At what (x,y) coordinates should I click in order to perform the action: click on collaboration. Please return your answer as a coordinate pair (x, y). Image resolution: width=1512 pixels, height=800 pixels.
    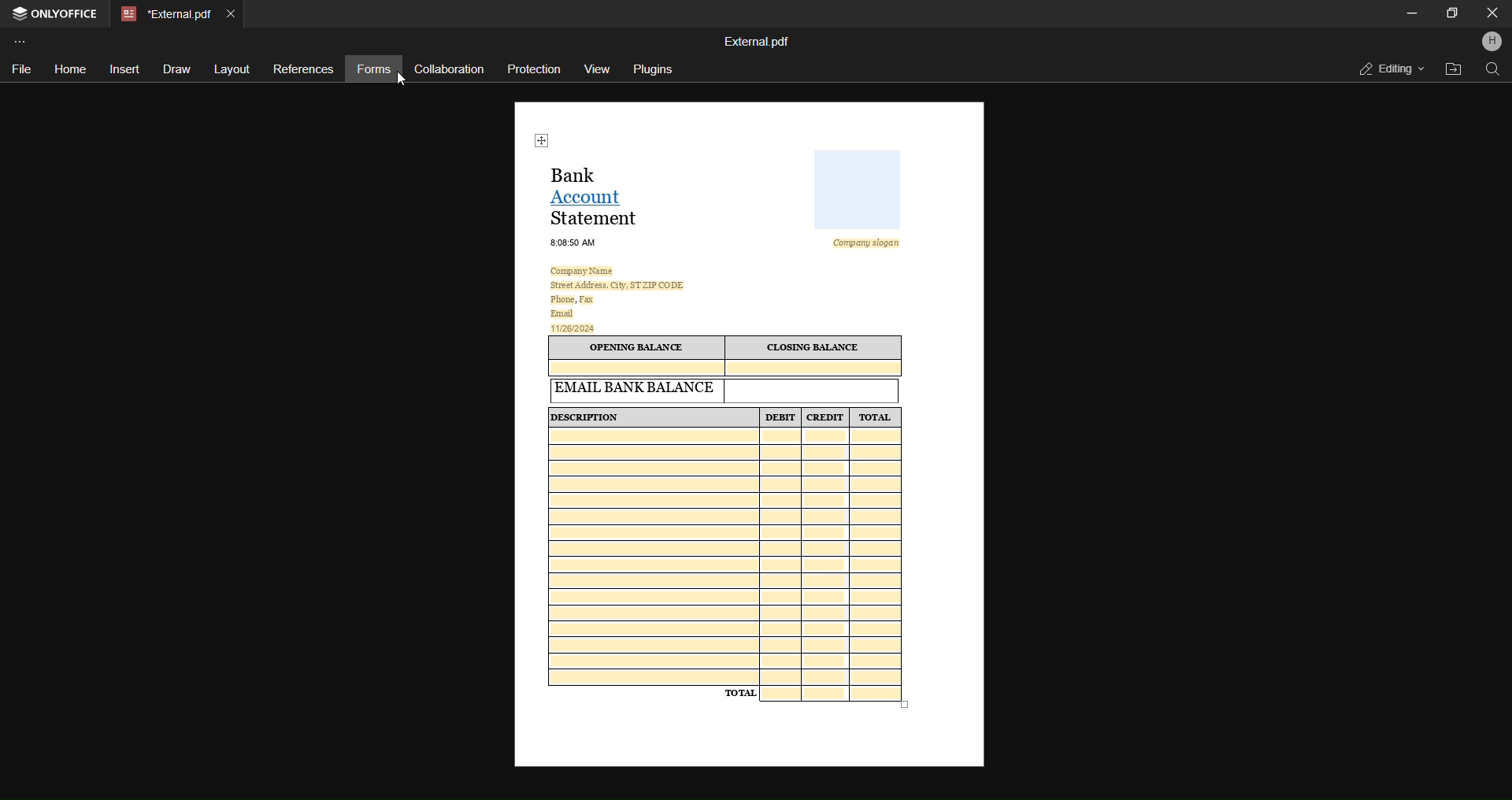
    Looking at the image, I should click on (452, 69).